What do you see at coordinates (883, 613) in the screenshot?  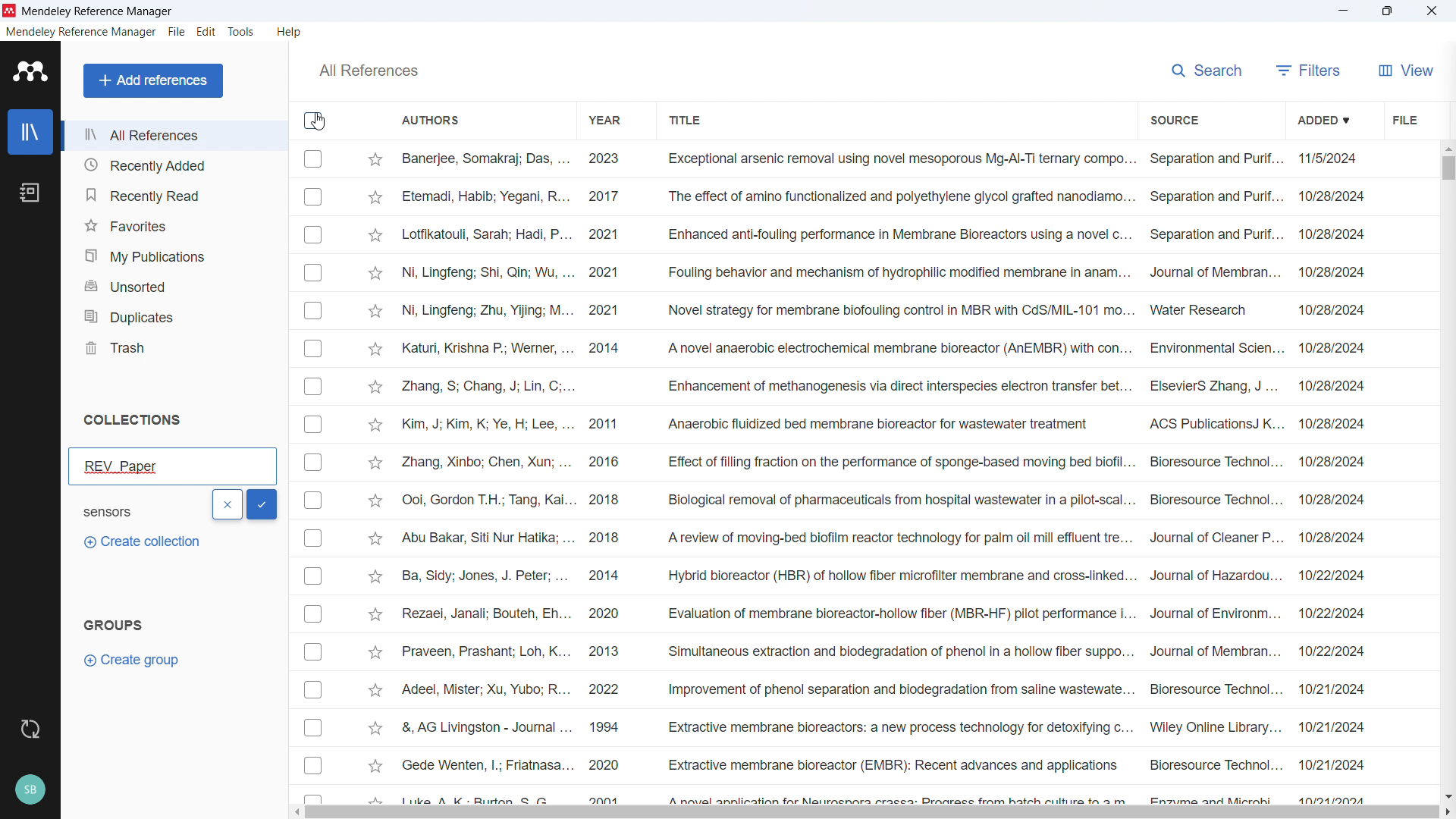 I see `Rezaei, Janali; Bouteh, Eh... 2020 Evaluation of membrane bioreactor-hollow fiber (MBR-HF) pilot performance i... Journal of Environm... 10/22/2024` at bounding box center [883, 613].